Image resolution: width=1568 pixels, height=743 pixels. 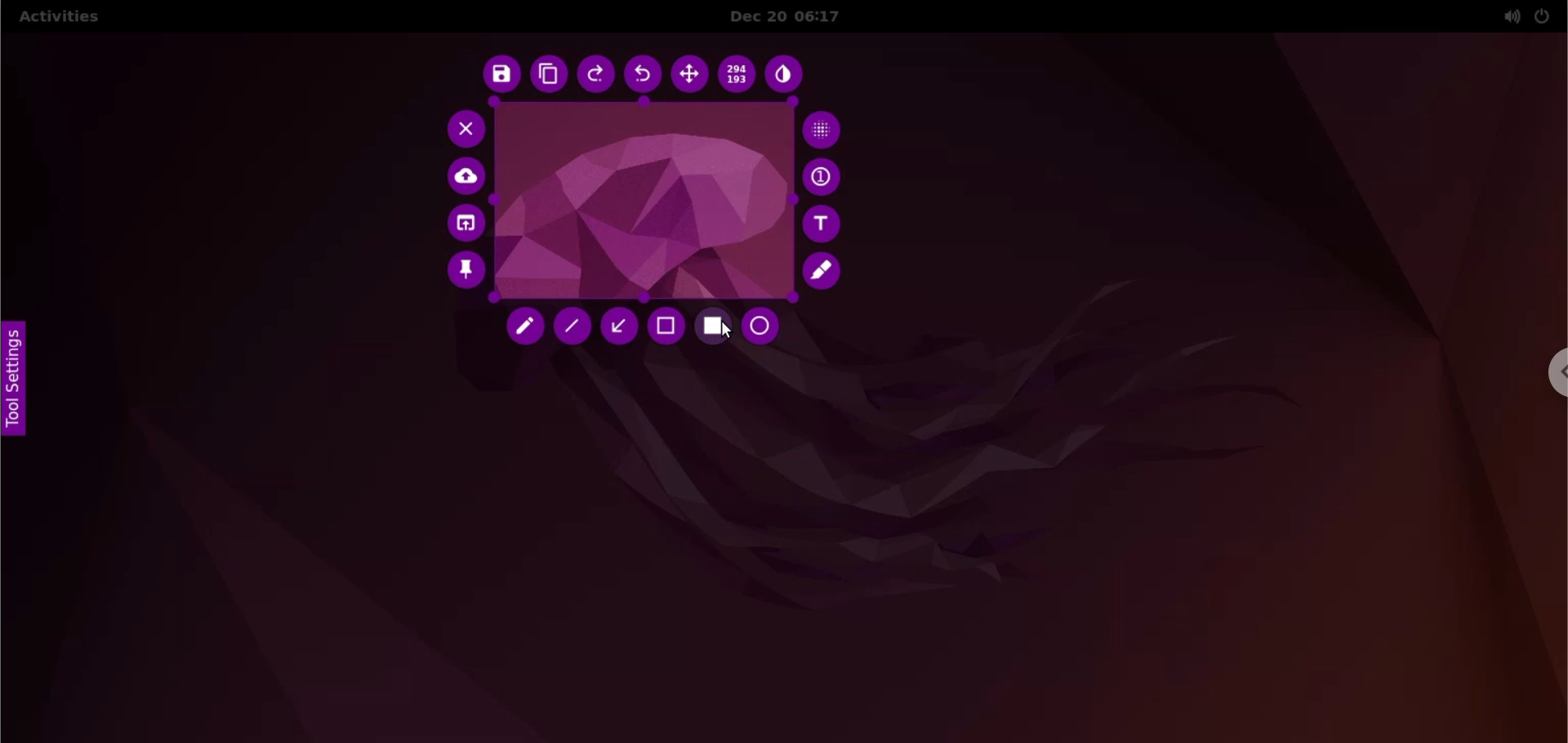 What do you see at coordinates (461, 128) in the screenshot?
I see `cancel capture` at bounding box center [461, 128].